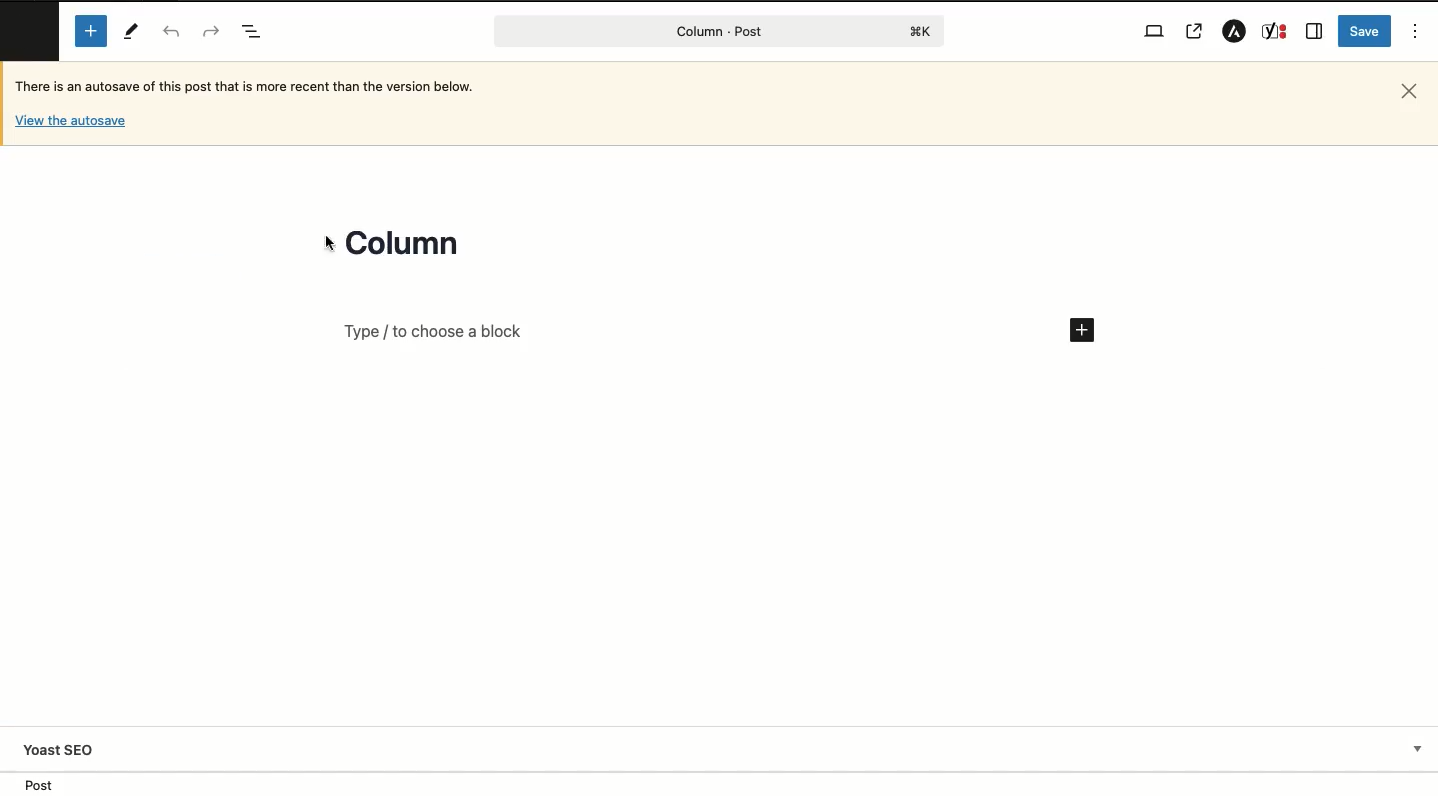  What do you see at coordinates (212, 31) in the screenshot?
I see `Redo` at bounding box center [212, 31].